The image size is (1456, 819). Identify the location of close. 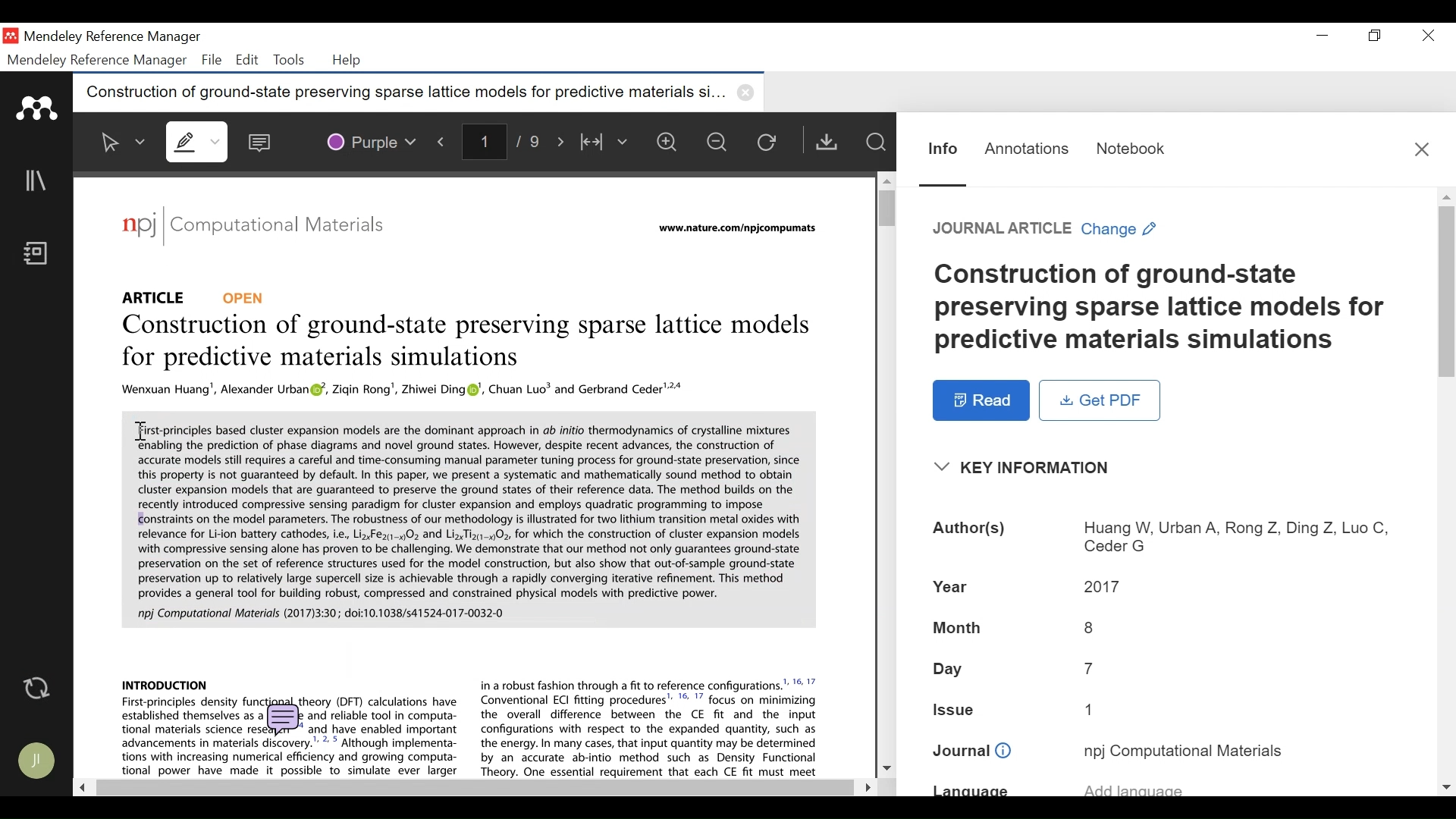
(748, 93).